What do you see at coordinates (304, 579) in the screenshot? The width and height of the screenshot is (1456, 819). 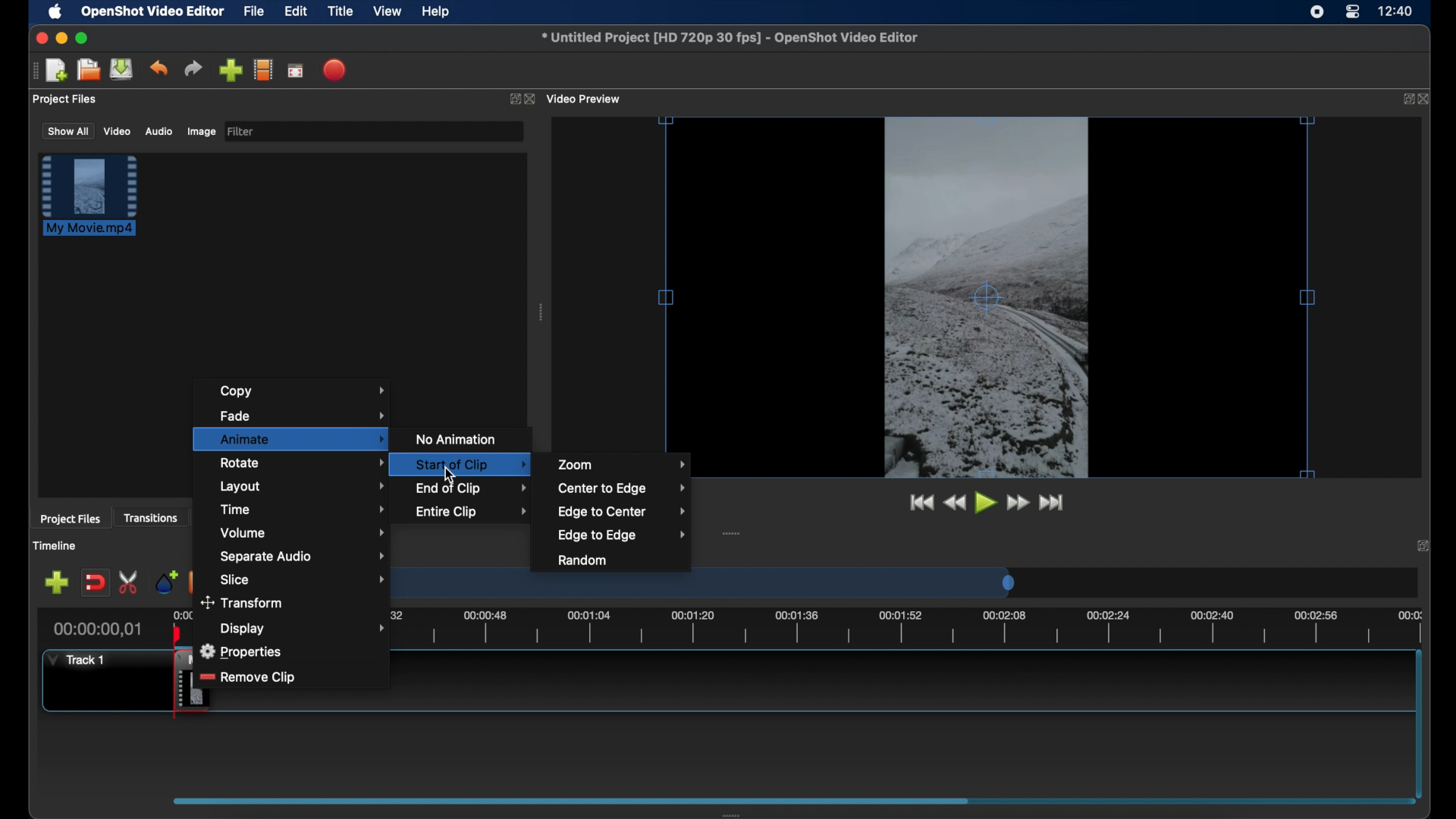 I see `slice menu` at bounding box center [304, 579].